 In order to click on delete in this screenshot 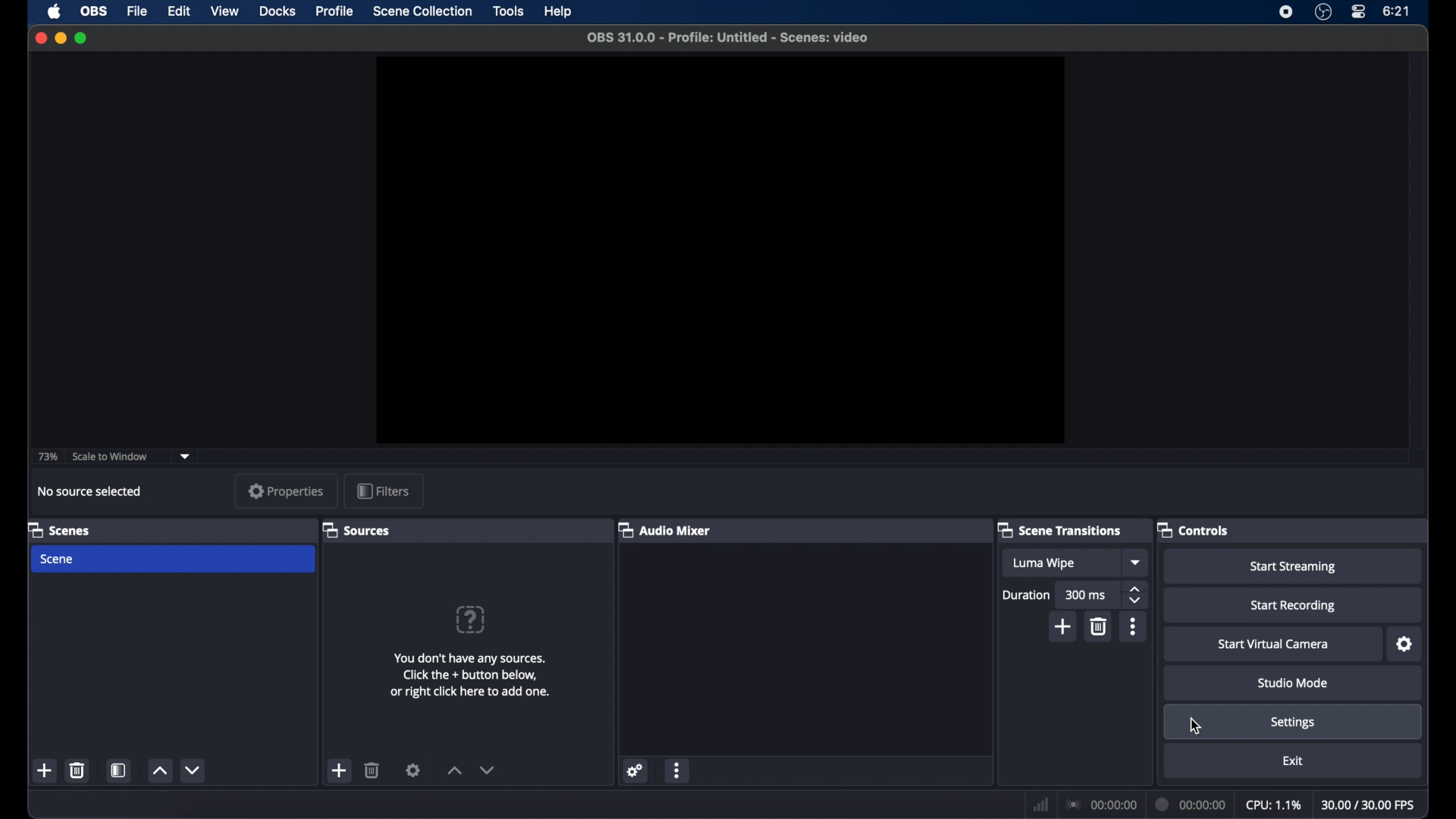, I will do `click(77, 770)`.